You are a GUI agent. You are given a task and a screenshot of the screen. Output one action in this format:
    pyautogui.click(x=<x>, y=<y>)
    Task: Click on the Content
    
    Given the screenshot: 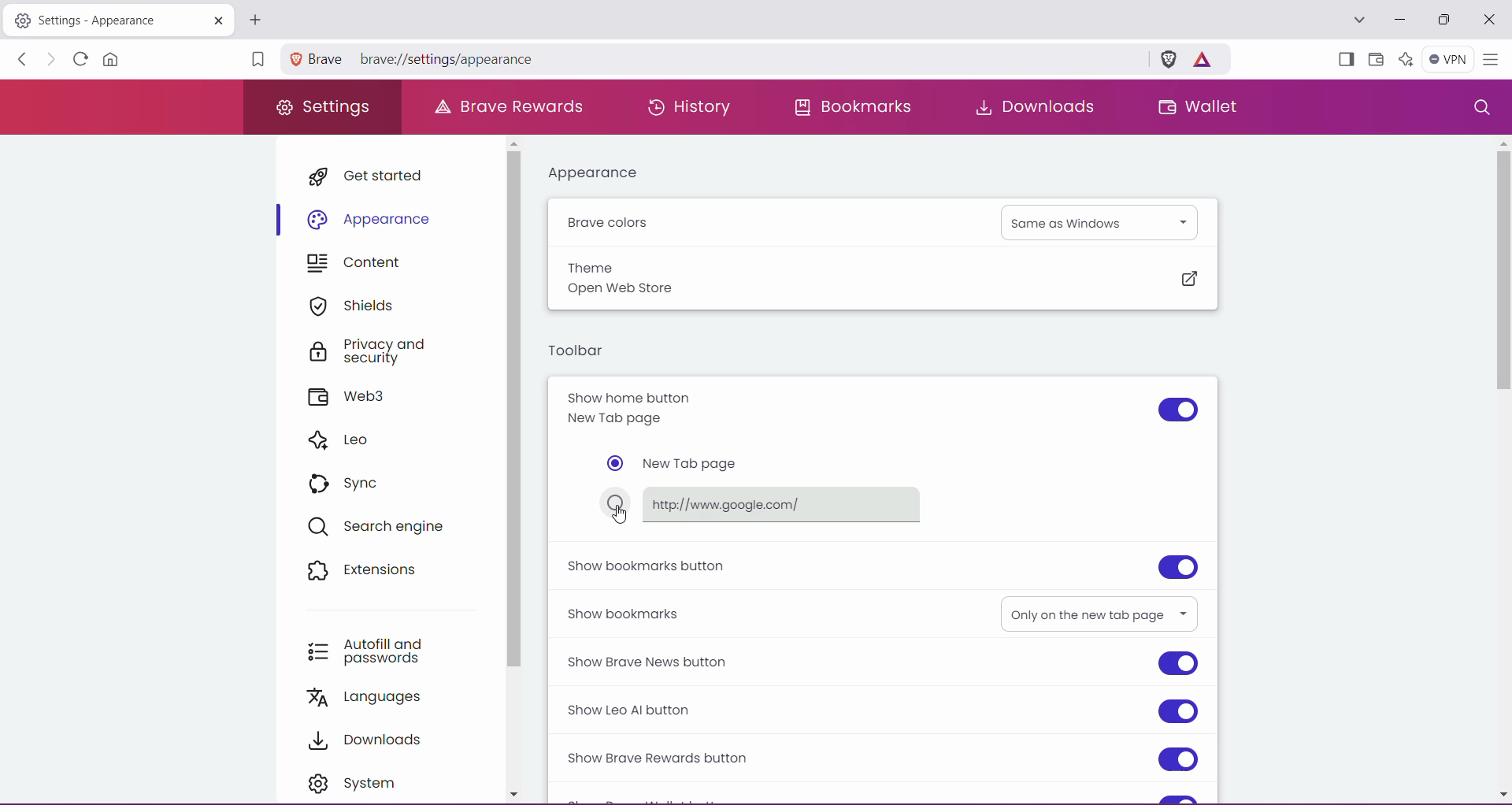 What is the action you would take?
    pyautogui.click(x=363, y=264)
    